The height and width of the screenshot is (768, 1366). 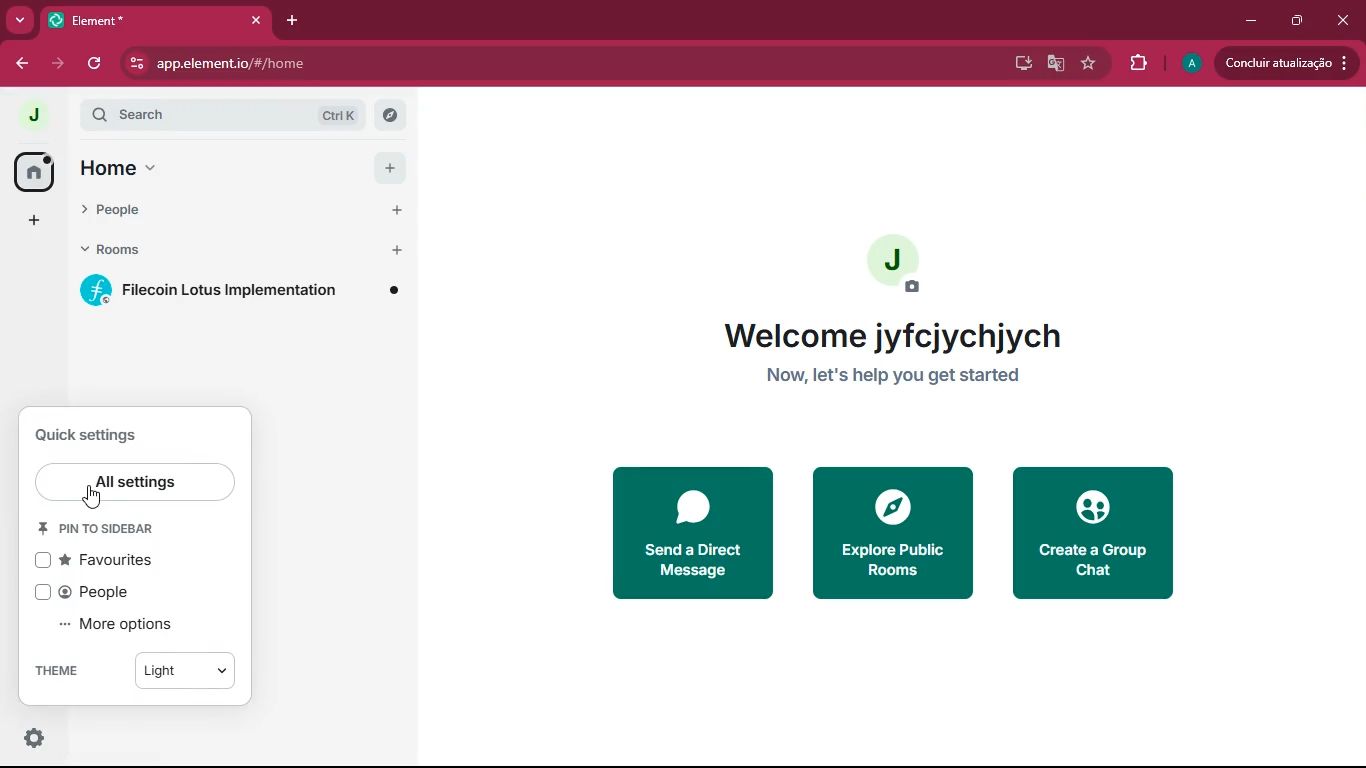 I want to click on home, so click(x=129, y=168).